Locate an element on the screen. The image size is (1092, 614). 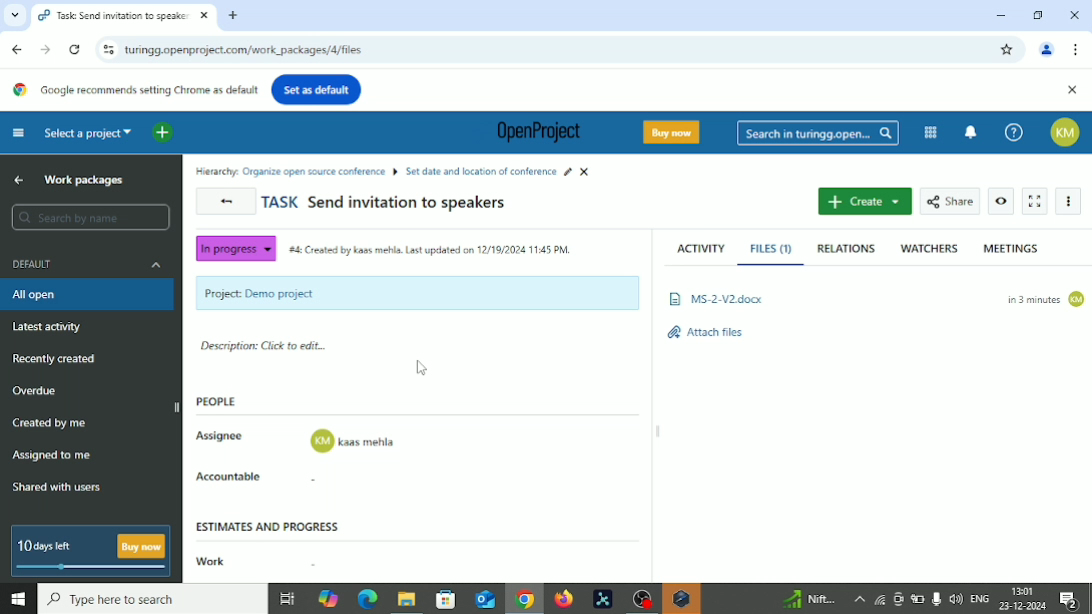
OpenProject is located at coordinates (534, 134).